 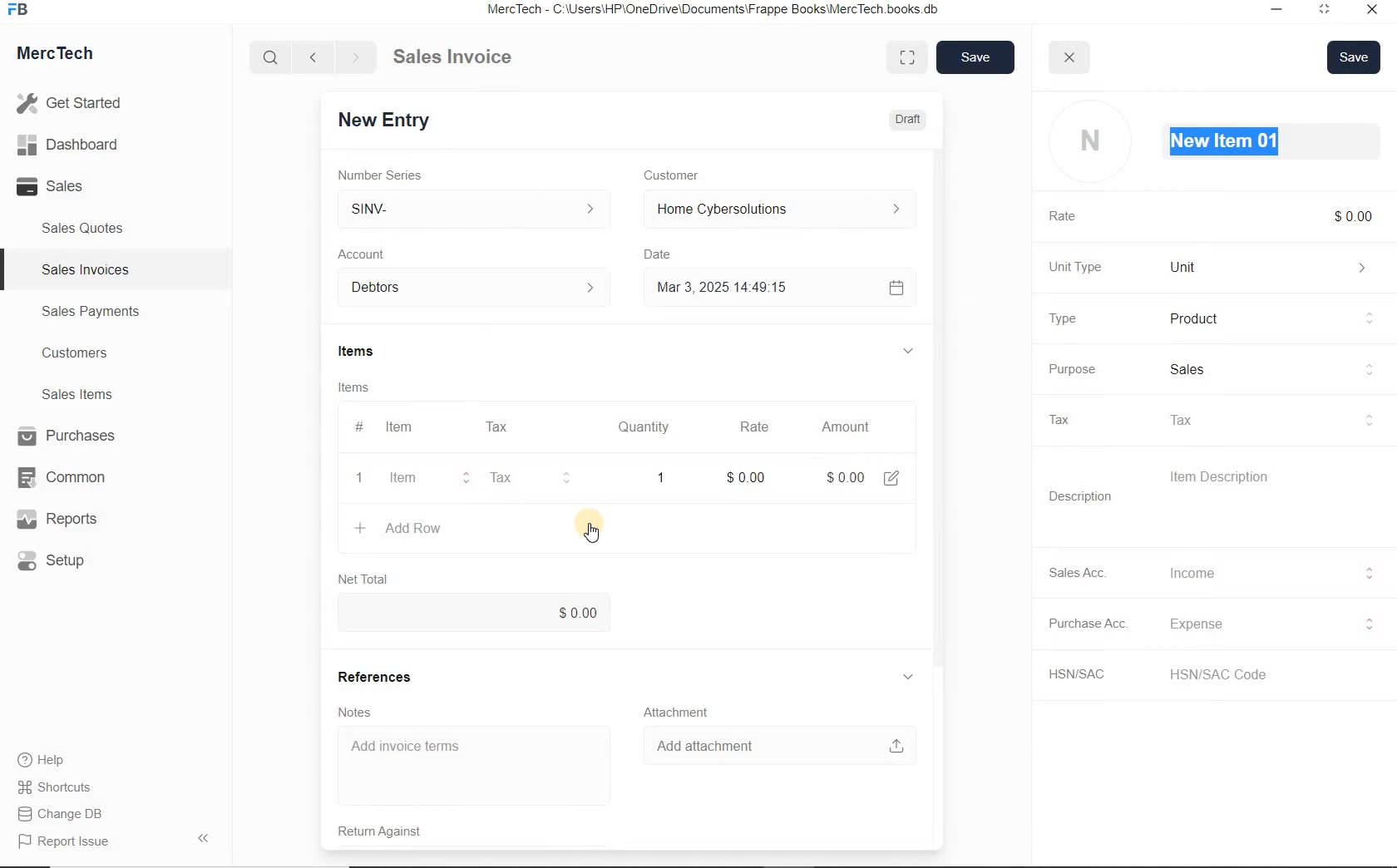 I want to click on Close, so click(x=1370, y=12).